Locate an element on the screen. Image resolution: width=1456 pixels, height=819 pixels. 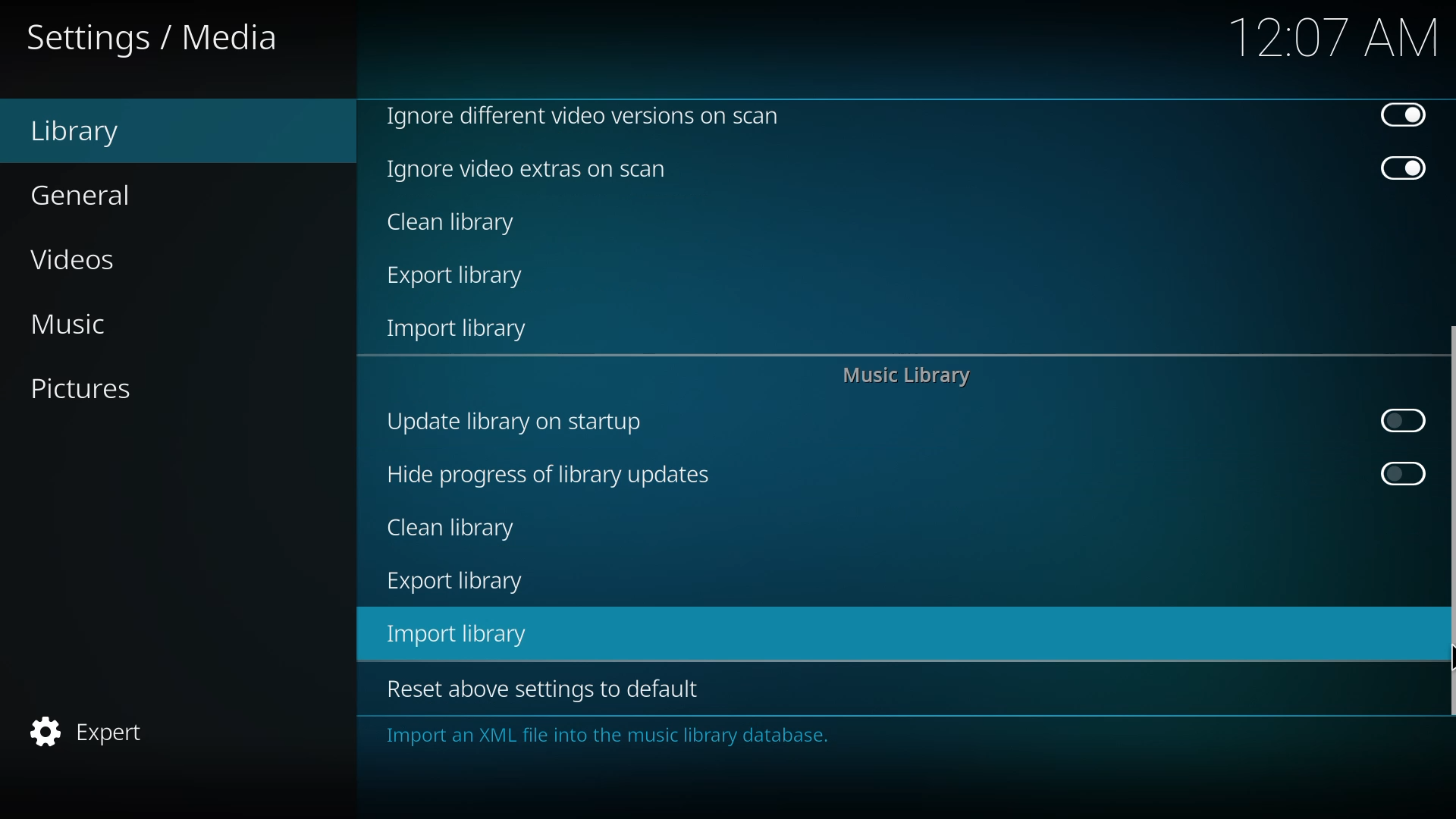
DRAG_TO Cursor is located at coordinates (1448, 651).